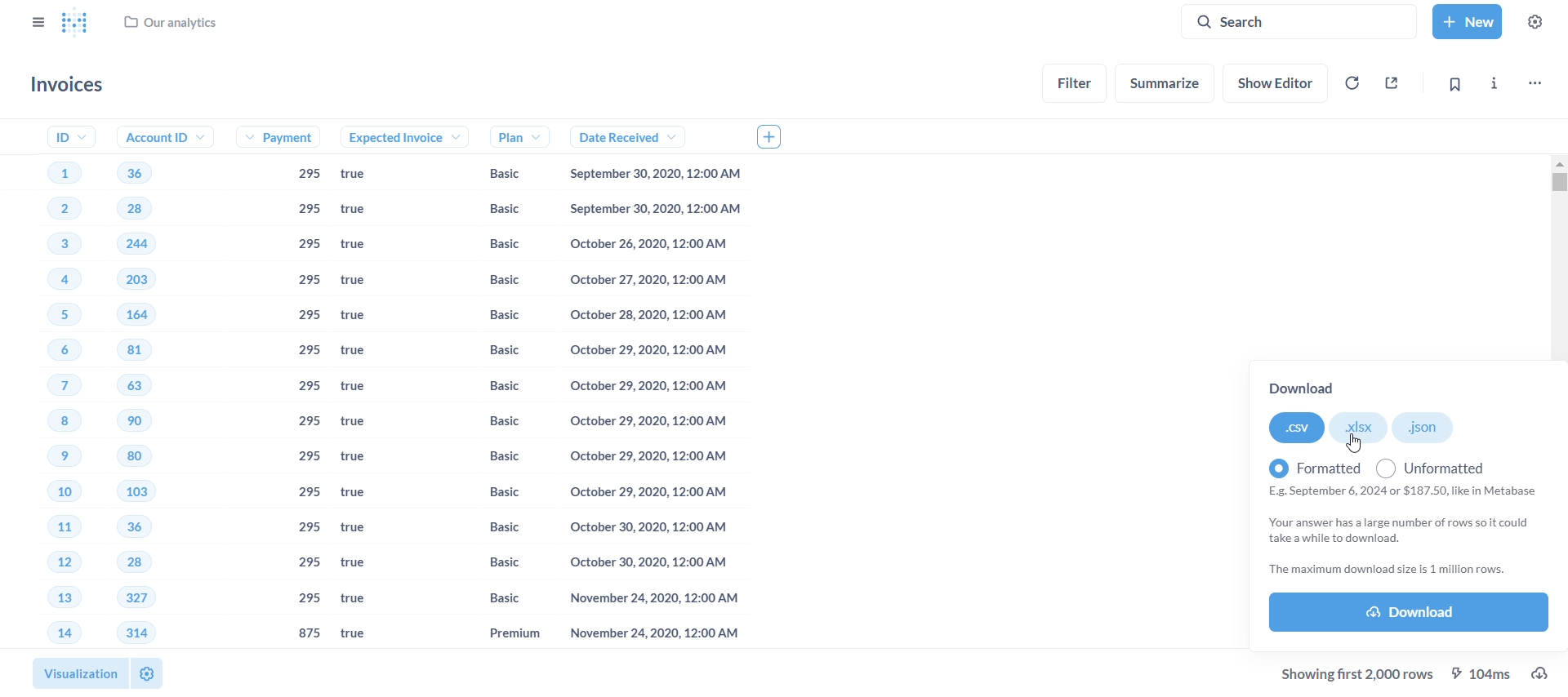 The width and height of the screenshot is (1568, 697). Describe the element at coordinates (660, 209) in the screenshot. I see `September 30,2020, 12:00 AM` at that location.